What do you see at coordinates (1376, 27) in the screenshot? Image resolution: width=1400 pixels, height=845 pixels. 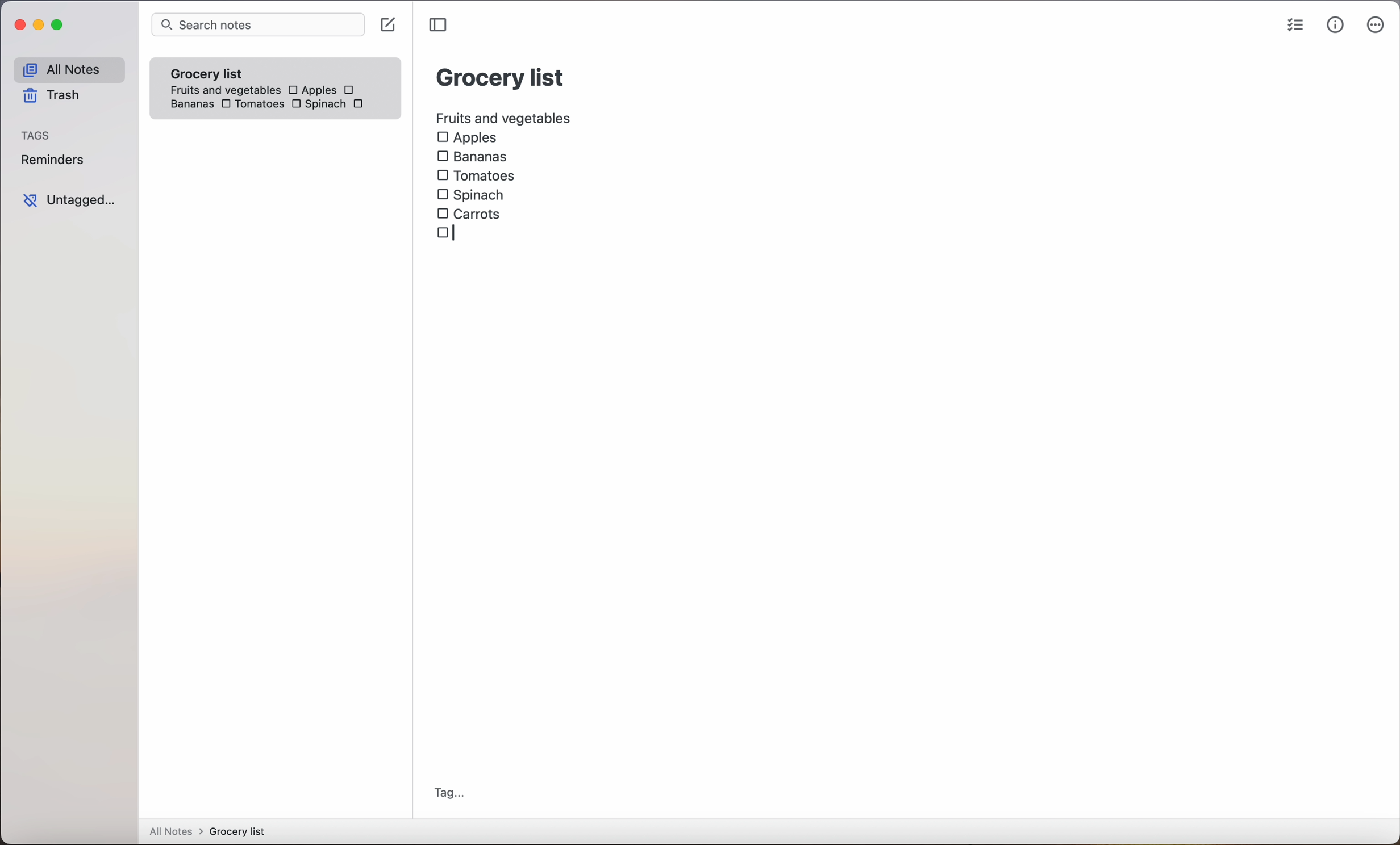 I see `more options` at bounding box center [1376, 27].